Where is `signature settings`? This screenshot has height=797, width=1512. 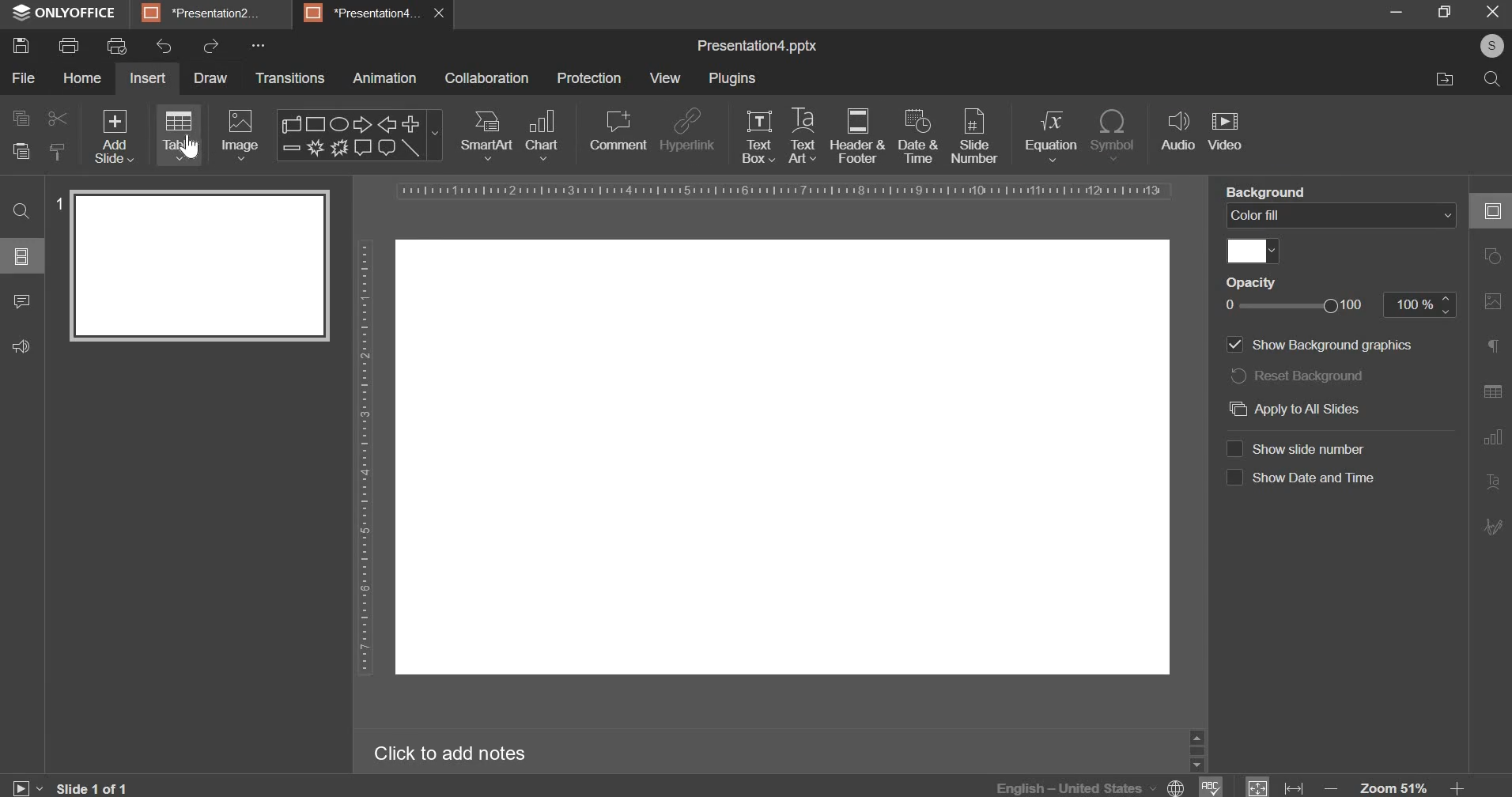
signature settings is located at coordinates (1495, 527).